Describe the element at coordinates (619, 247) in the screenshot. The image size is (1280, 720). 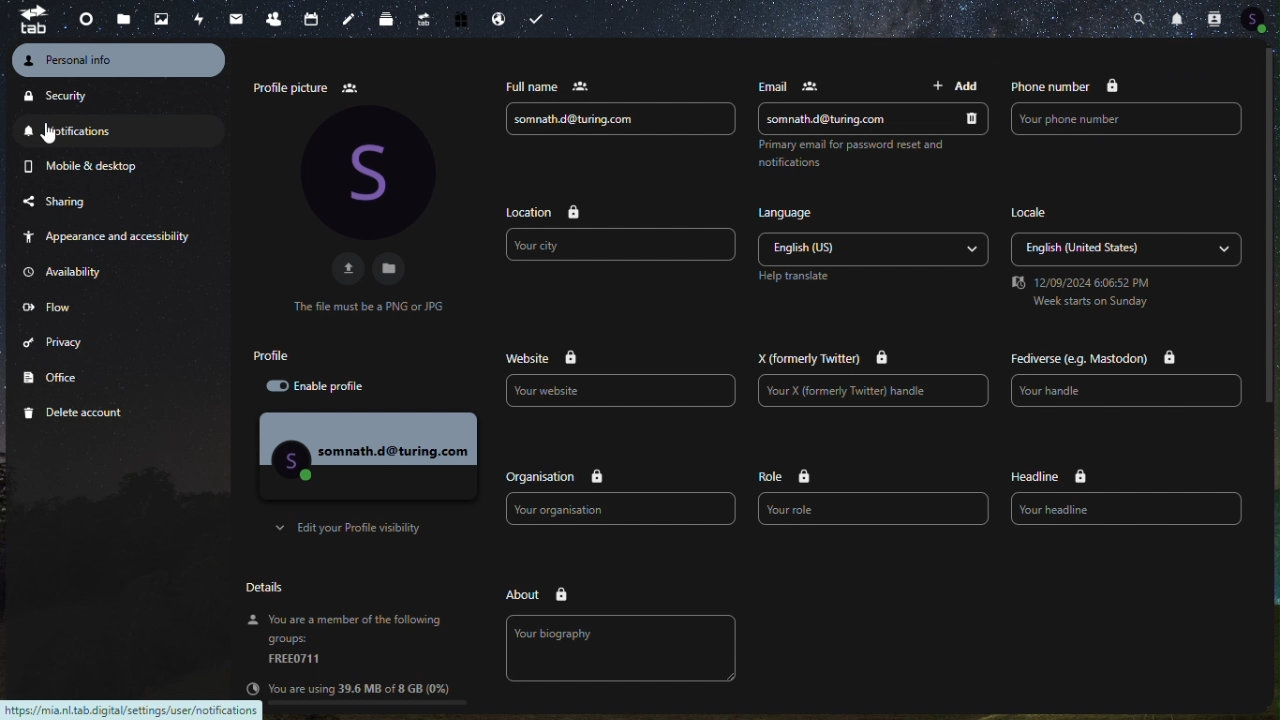
I see `Your city` at that location.